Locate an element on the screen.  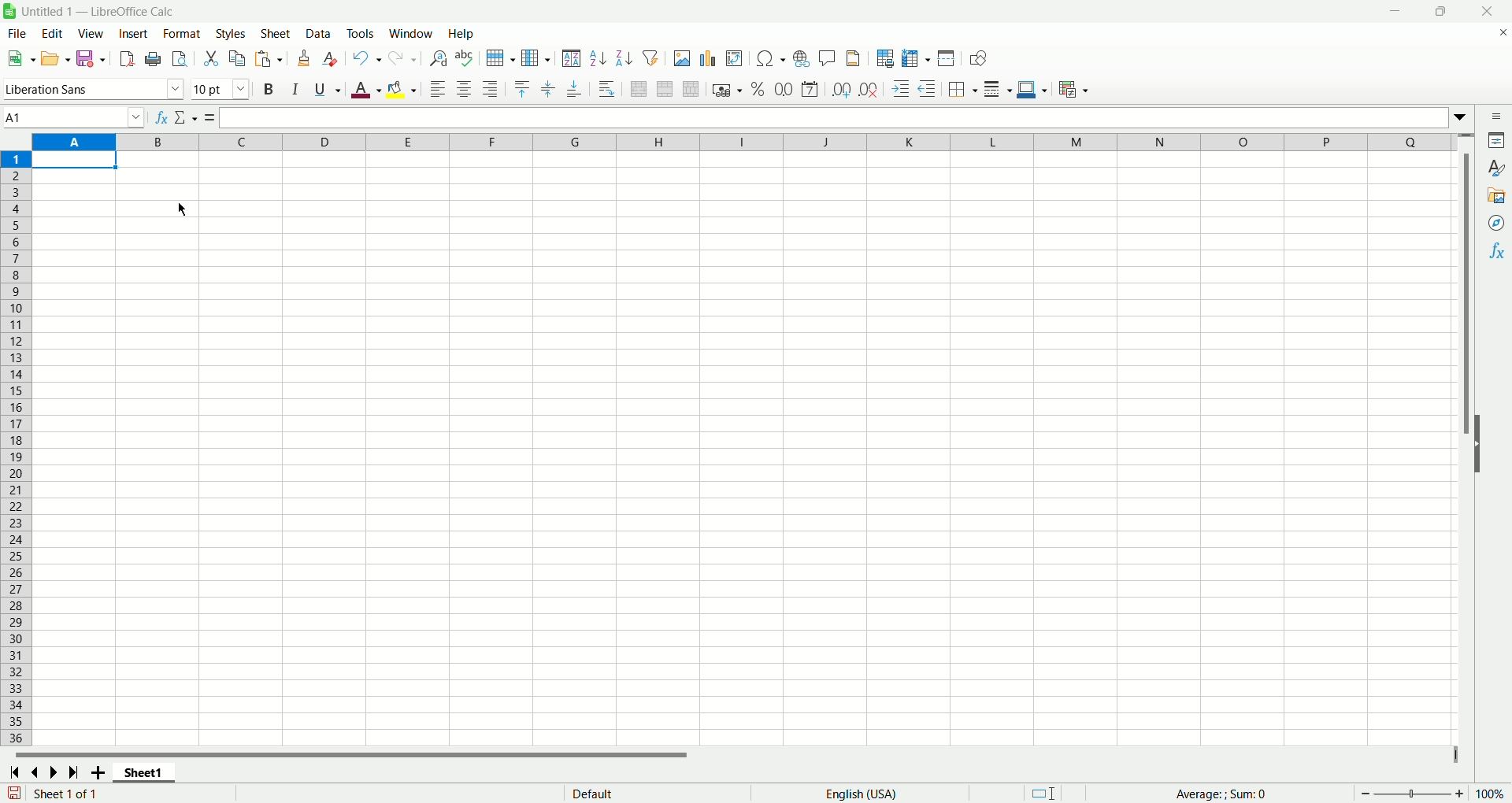
insert image is located at coordinates (682, 60).